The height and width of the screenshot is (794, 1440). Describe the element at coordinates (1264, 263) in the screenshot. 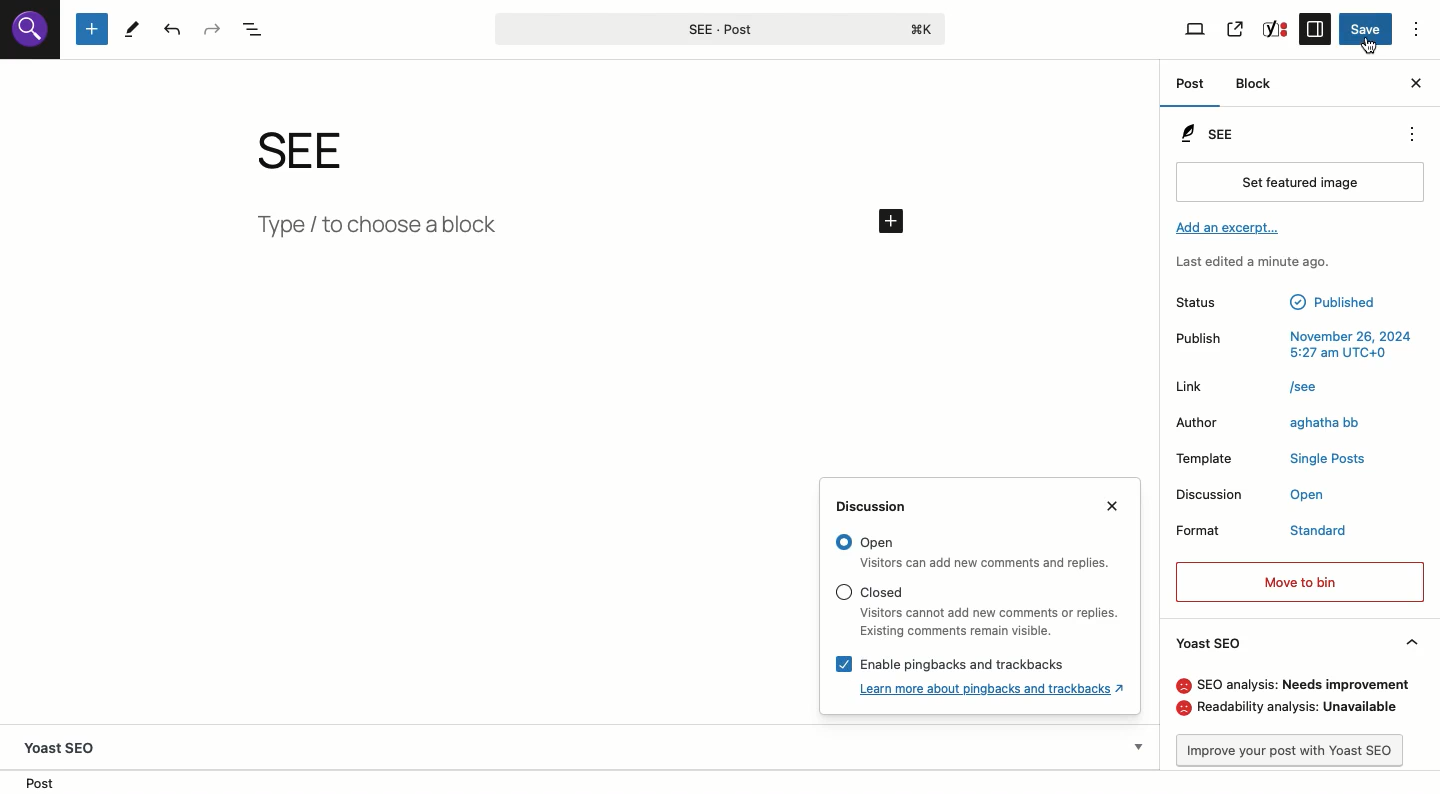

I see `Last edited` at that location.